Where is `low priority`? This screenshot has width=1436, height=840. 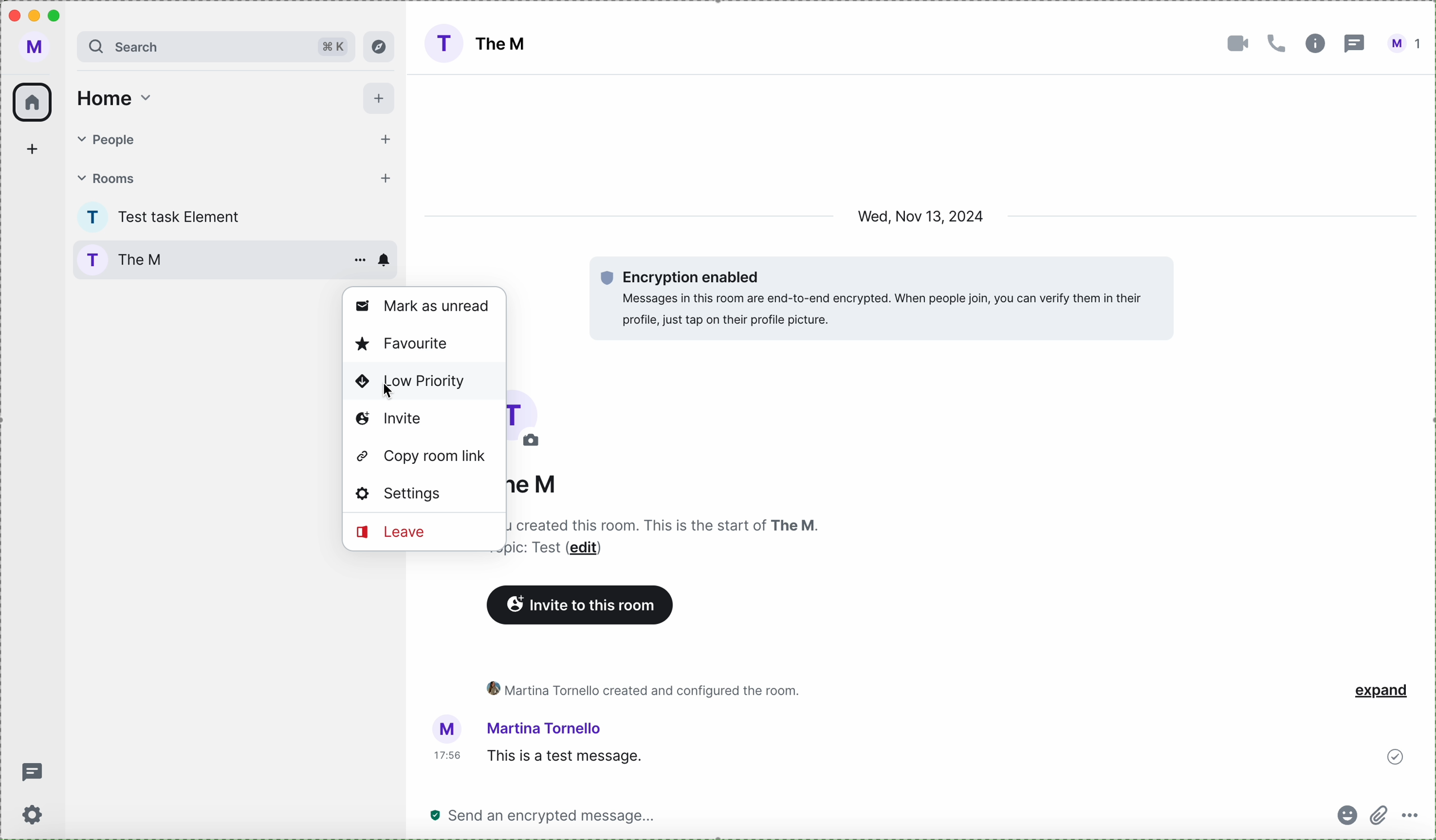
low priority is located at coordinates (407, 378).